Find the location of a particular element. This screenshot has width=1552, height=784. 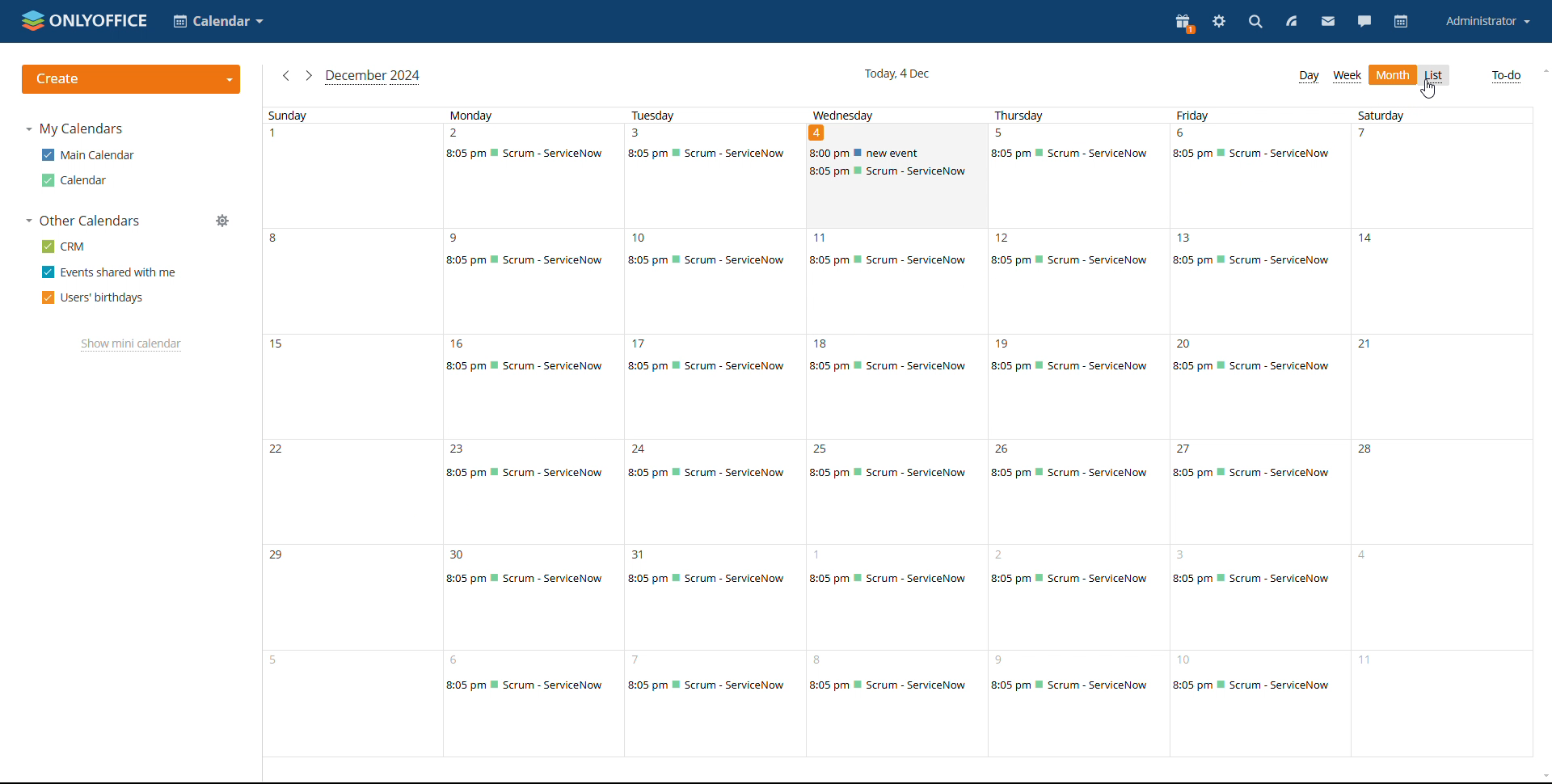

users' birthdays is located at coordinates (93, 297).